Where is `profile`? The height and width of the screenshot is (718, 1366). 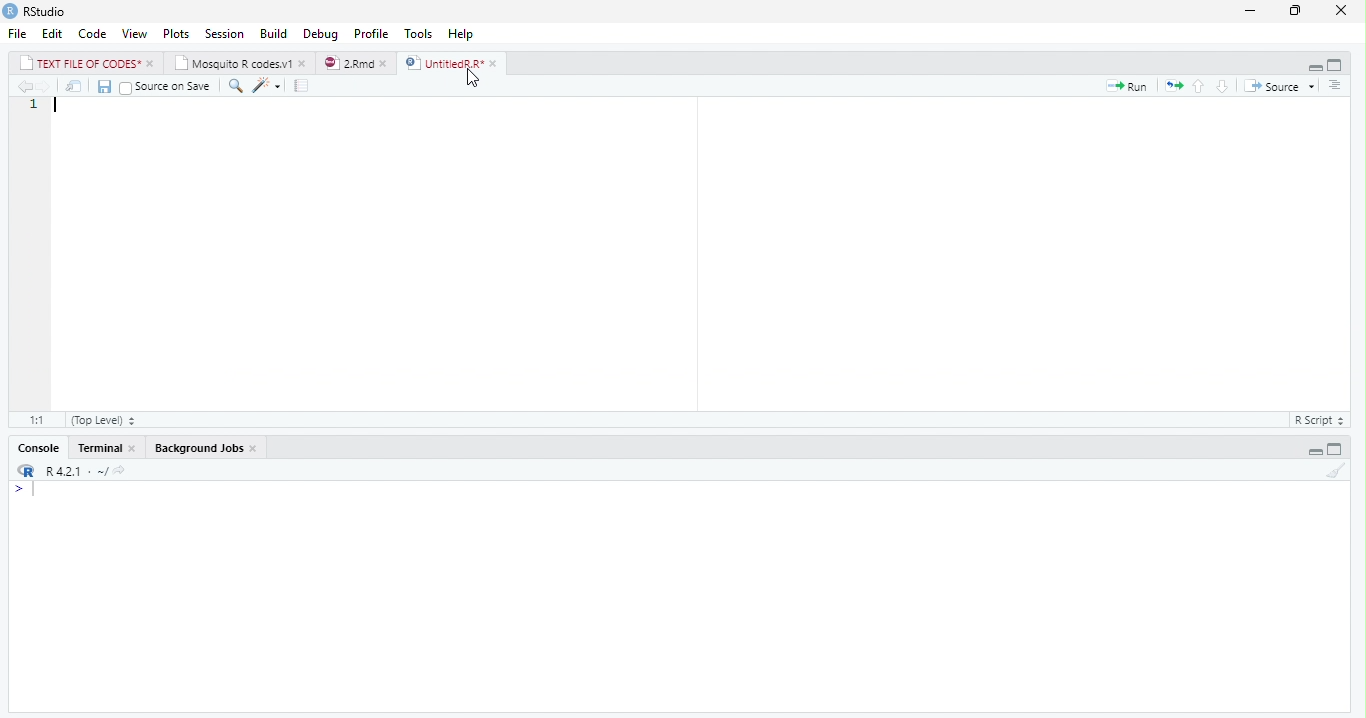
profile is located at coordinates (371, 34).